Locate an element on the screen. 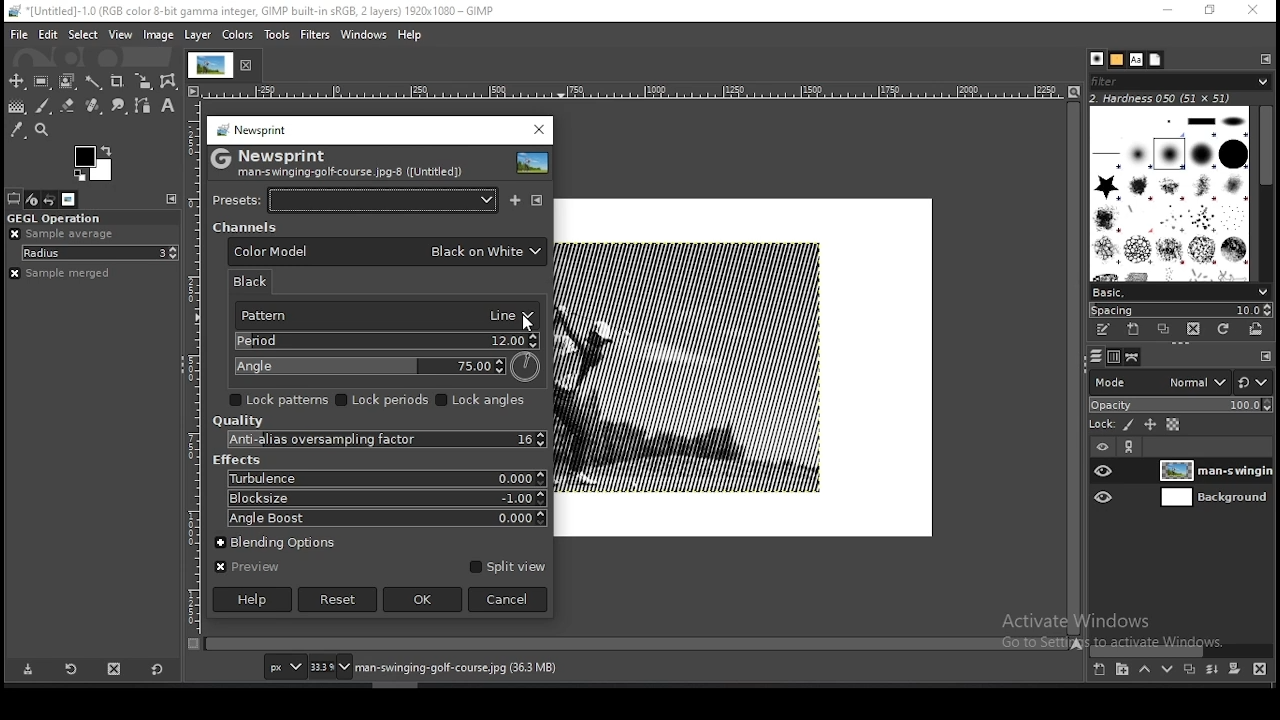 The height and width of the screenshot is (720, 1280). blending options is located at coordinates (286, 540).